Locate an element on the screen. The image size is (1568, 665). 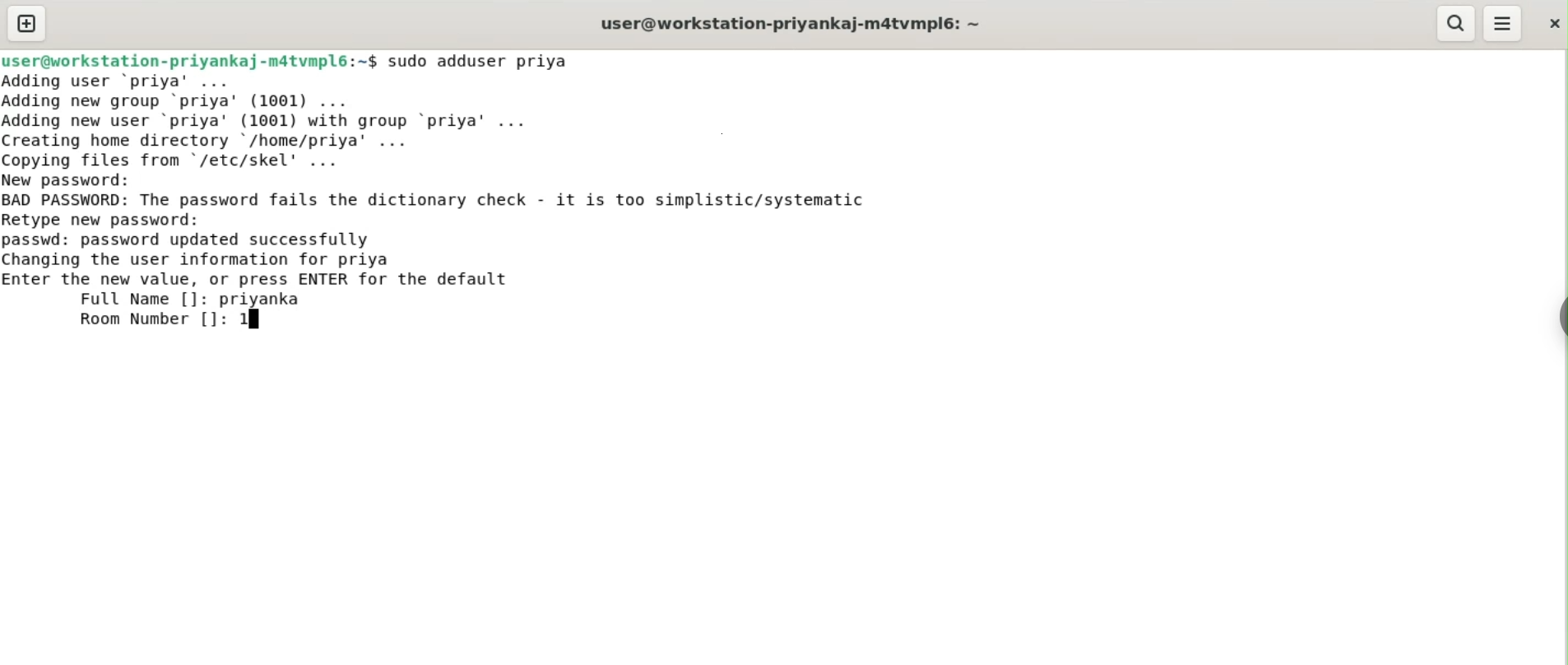
priyanka is located at coordinates (264, 299).